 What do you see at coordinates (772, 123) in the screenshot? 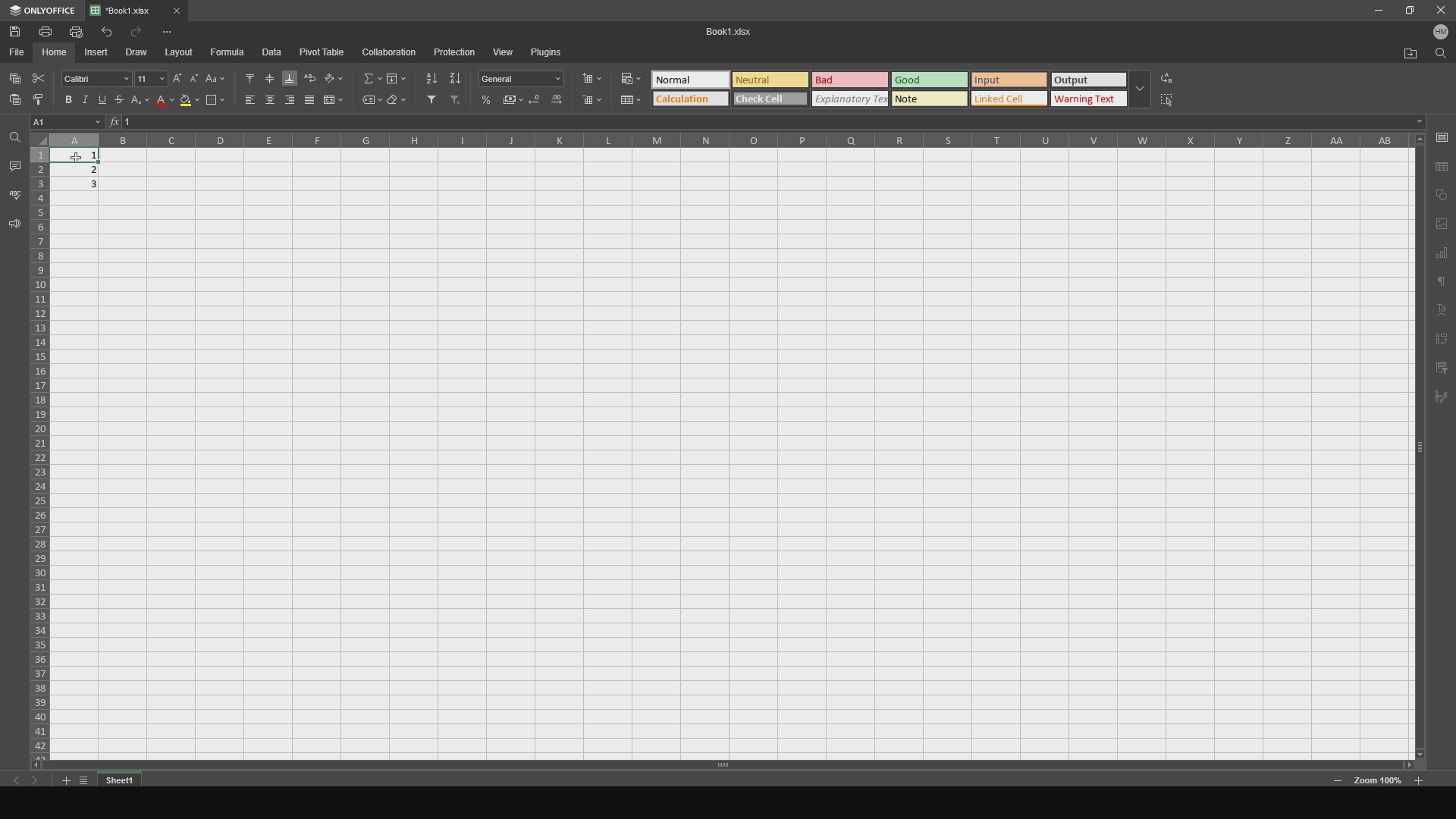
I see `cell functions` at bounding box center [772, 123].